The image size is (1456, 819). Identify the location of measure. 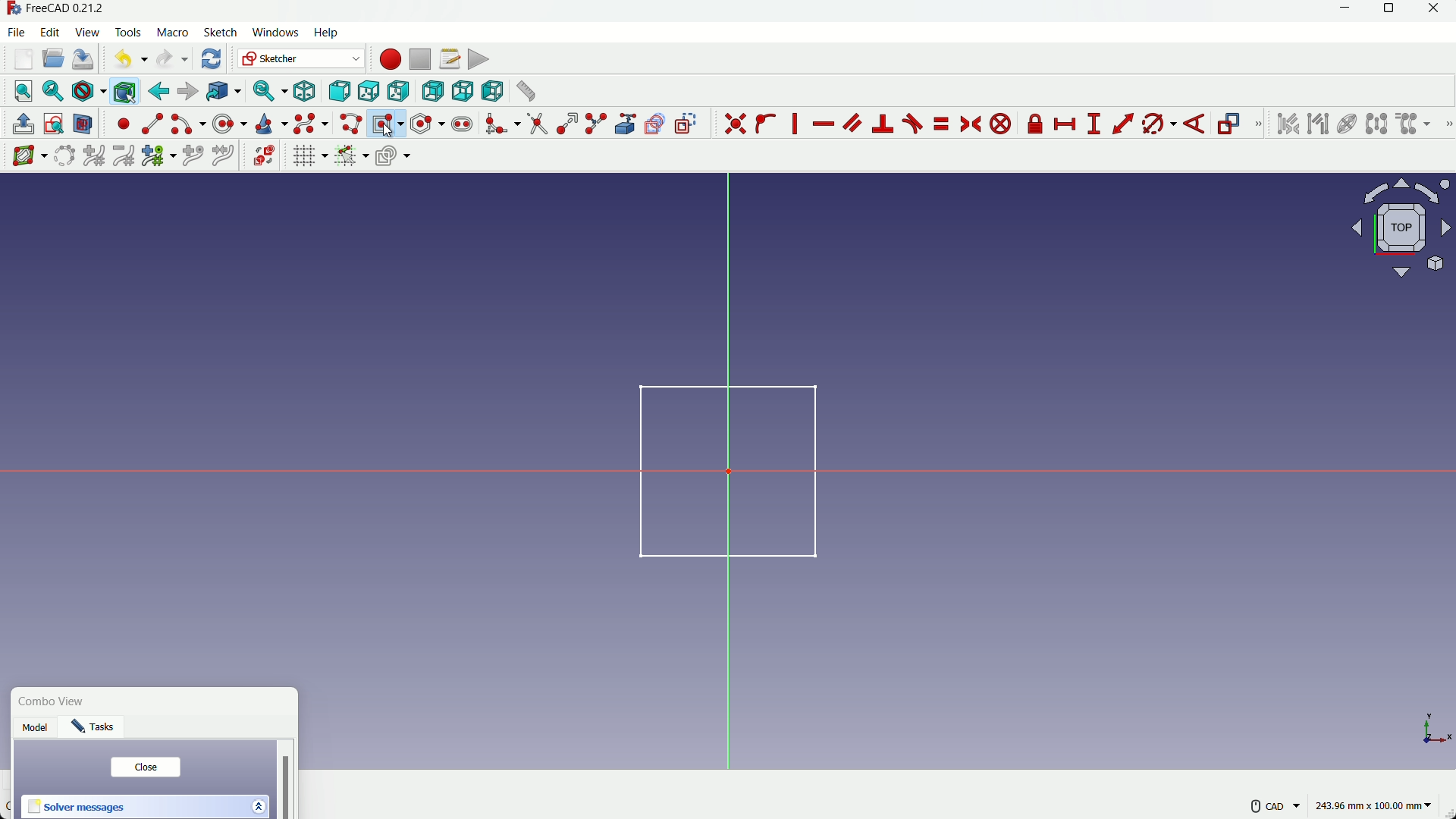
(525, 91).